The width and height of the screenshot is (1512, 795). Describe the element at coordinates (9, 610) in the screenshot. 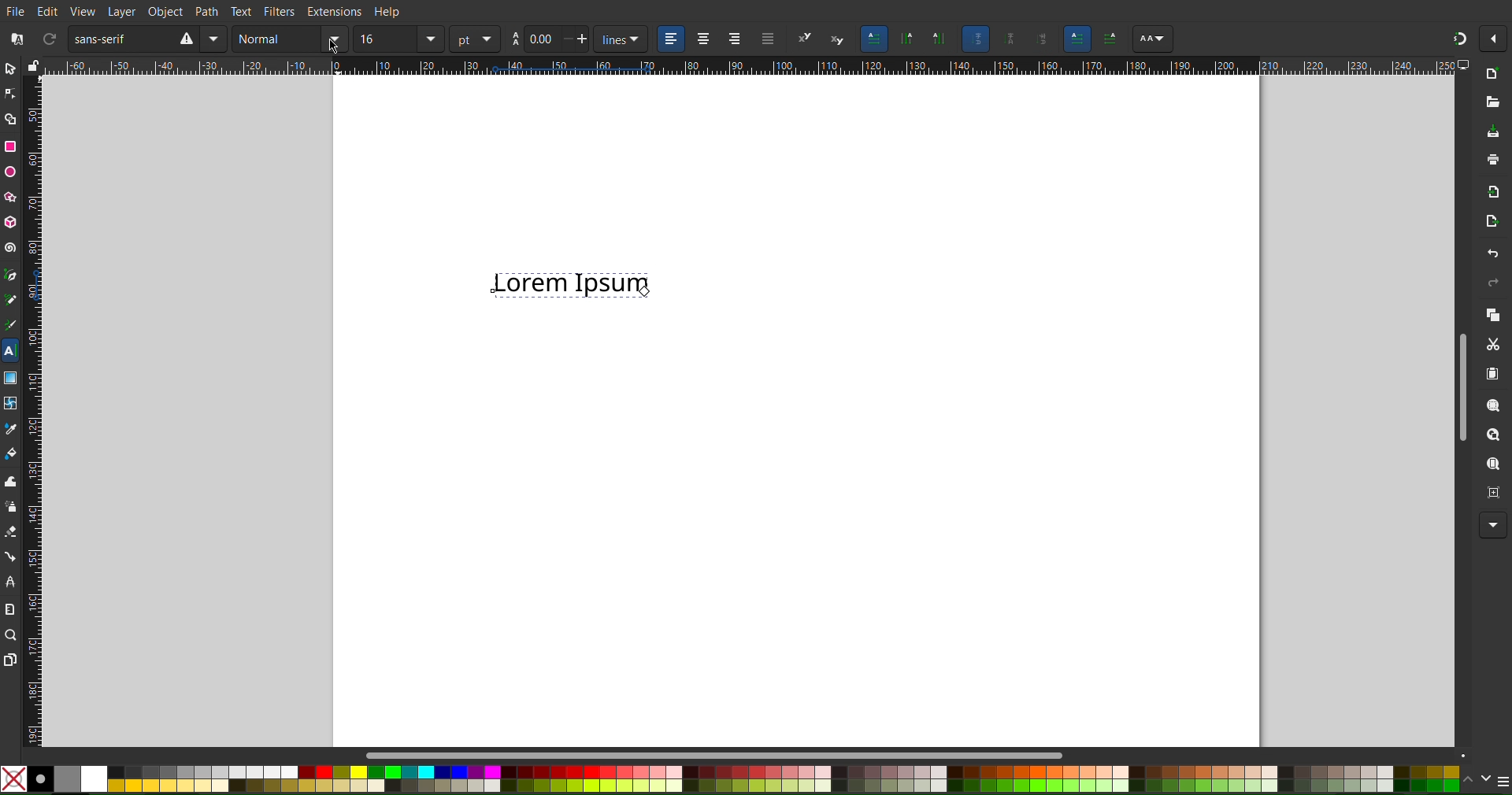

I see `Measure` at that location.